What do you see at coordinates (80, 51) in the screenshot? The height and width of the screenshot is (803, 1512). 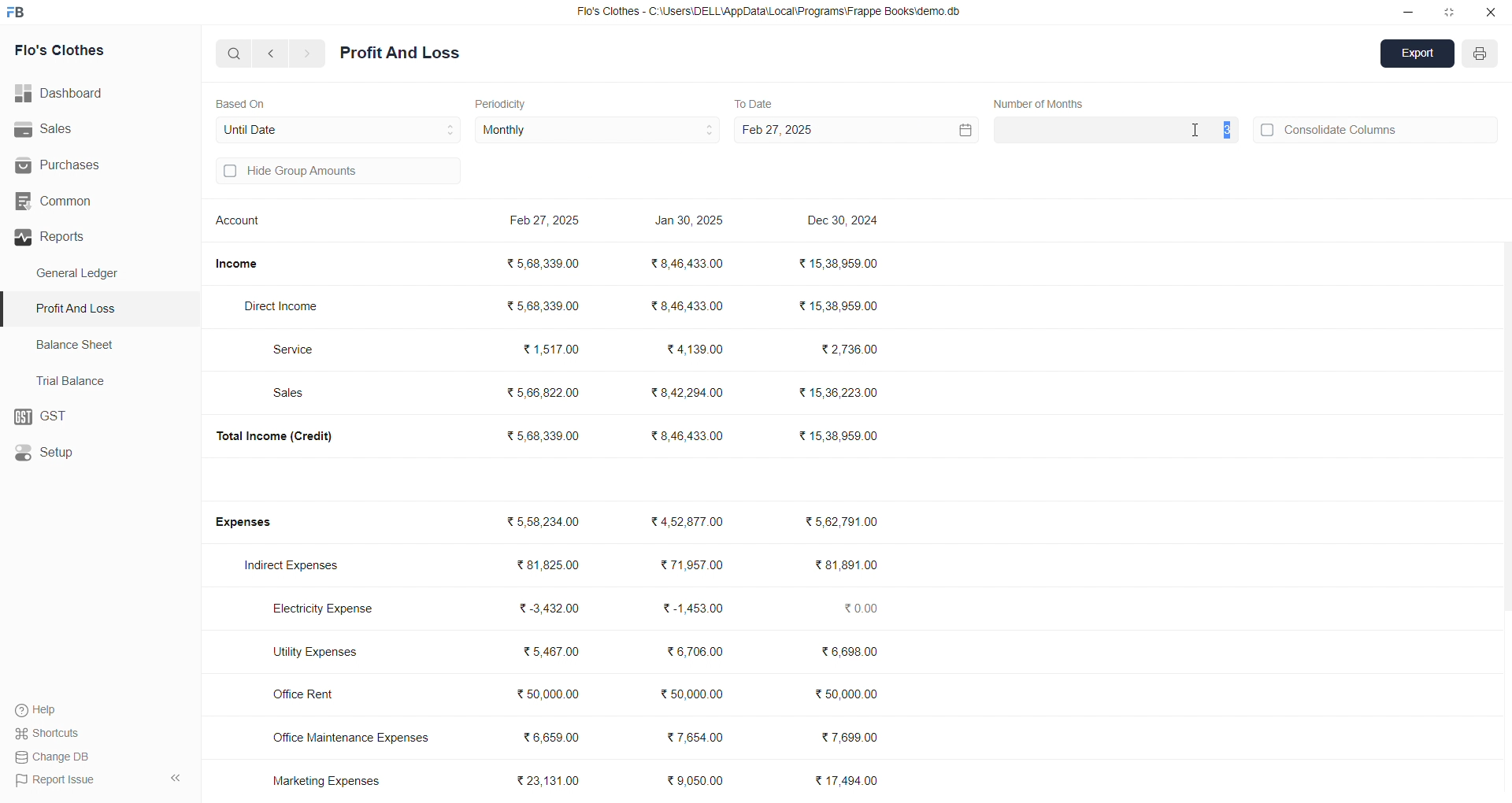 I see `Flo's Clothes` at bounding box center [80, 51].